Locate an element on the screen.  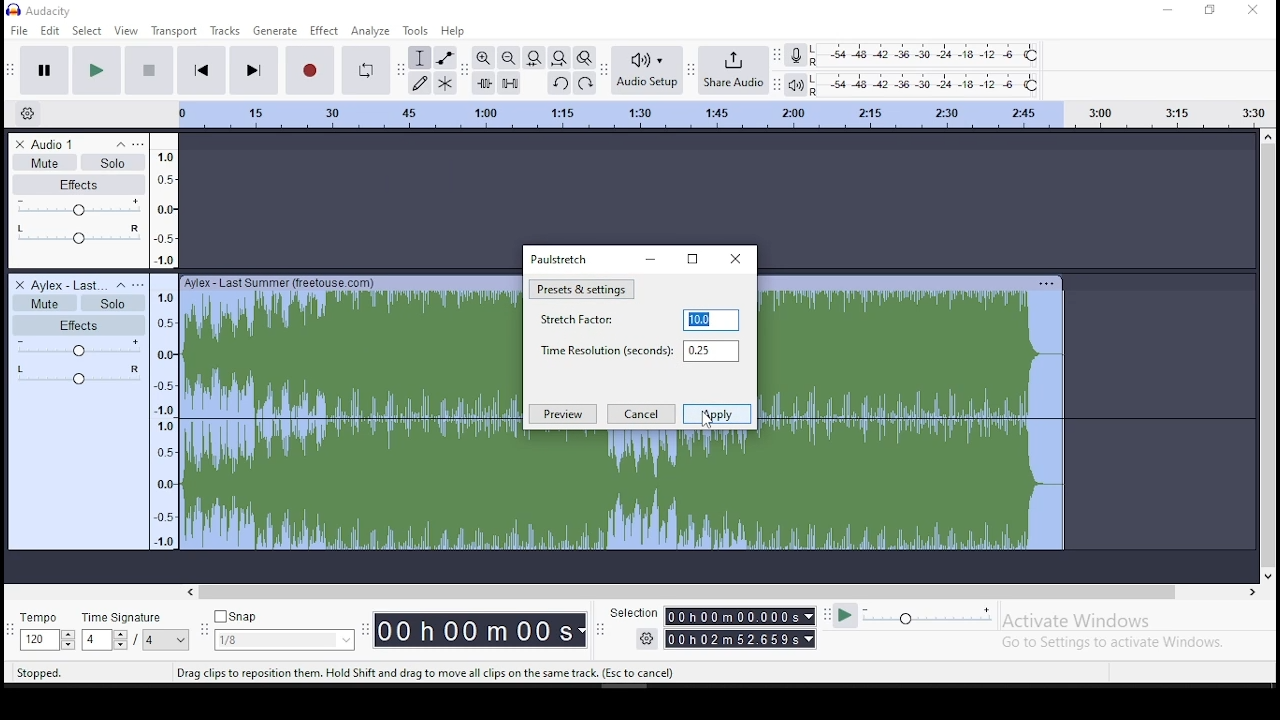
tool tips is located at coordinates (45, 674).